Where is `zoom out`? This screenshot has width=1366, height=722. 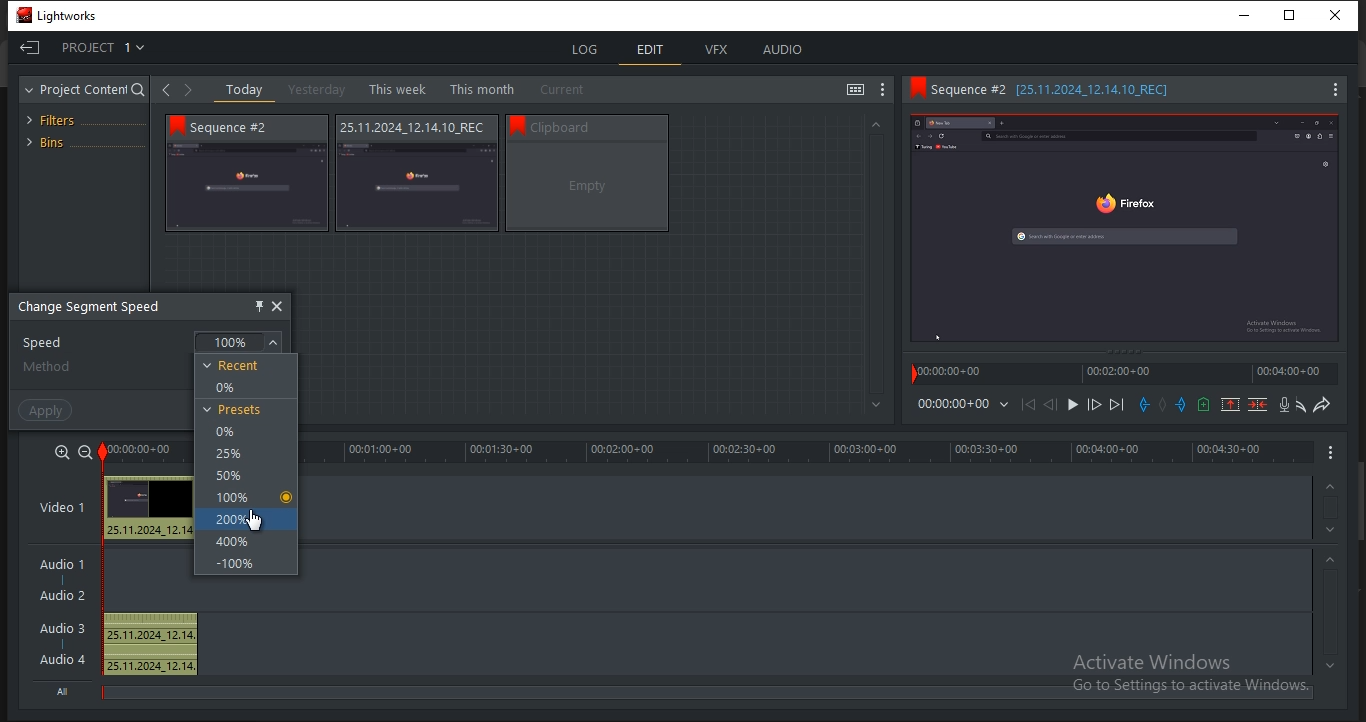 zoom out is located at coordinates (85, 451).